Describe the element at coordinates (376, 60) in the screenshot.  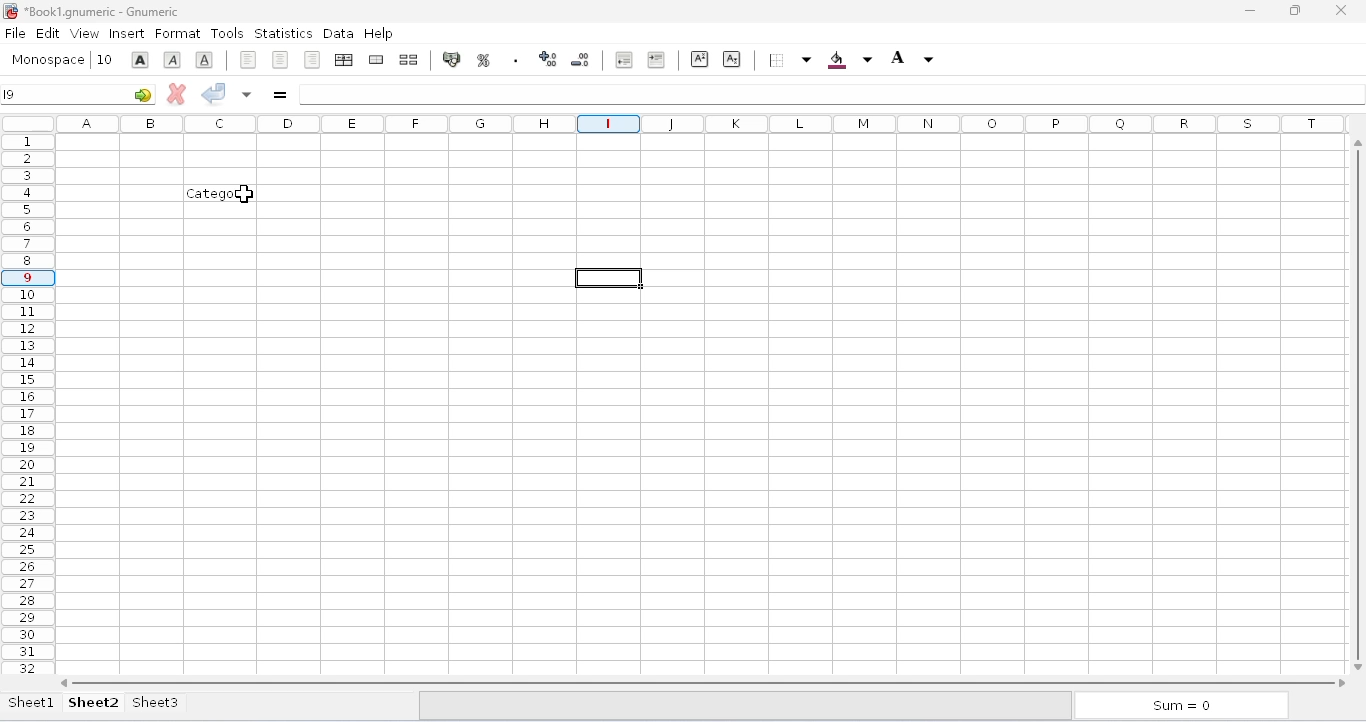
I see `merge a range of cells` at that location.